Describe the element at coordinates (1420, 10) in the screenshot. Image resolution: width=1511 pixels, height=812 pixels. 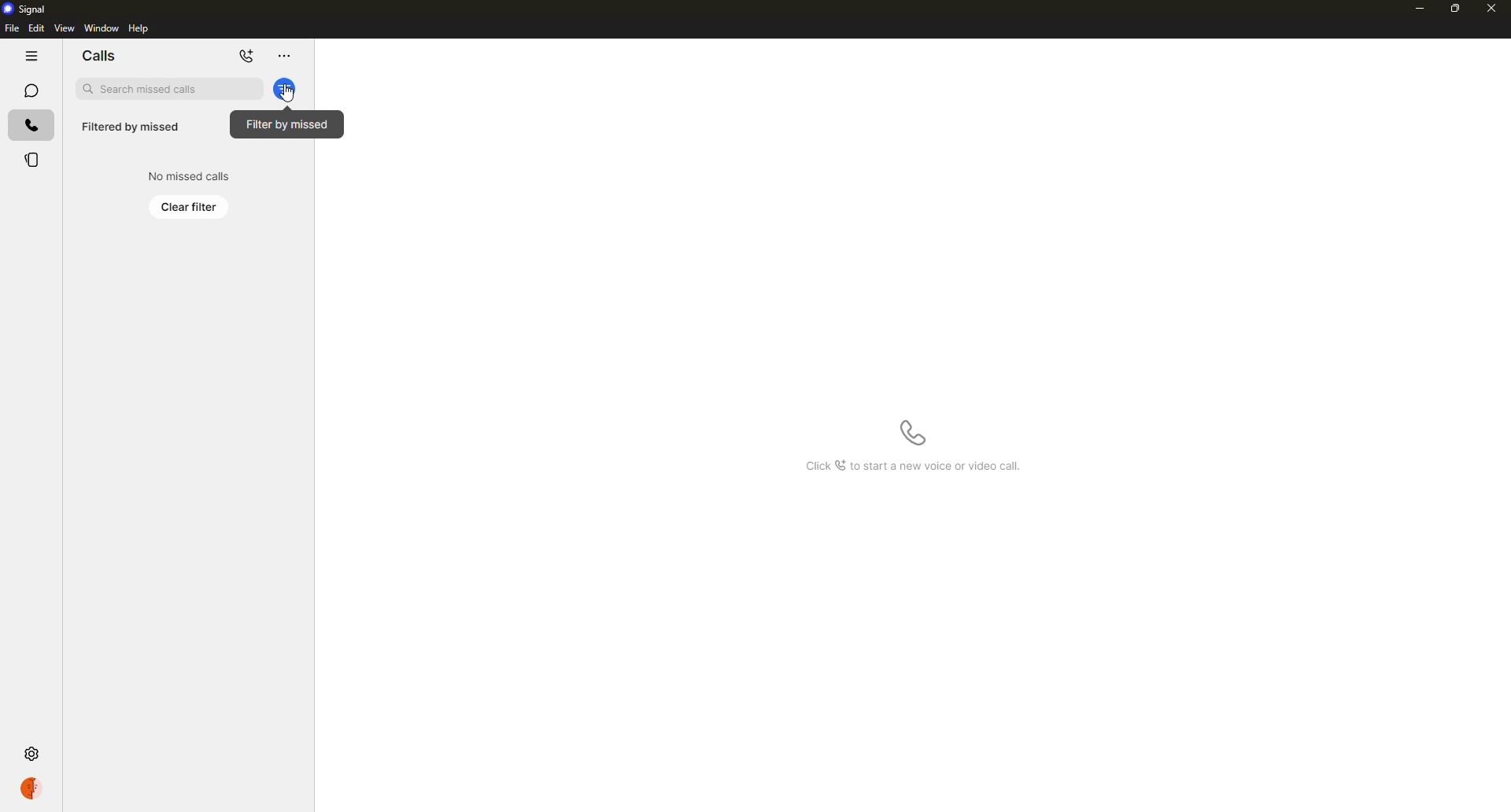
I see `minimize` at that location.